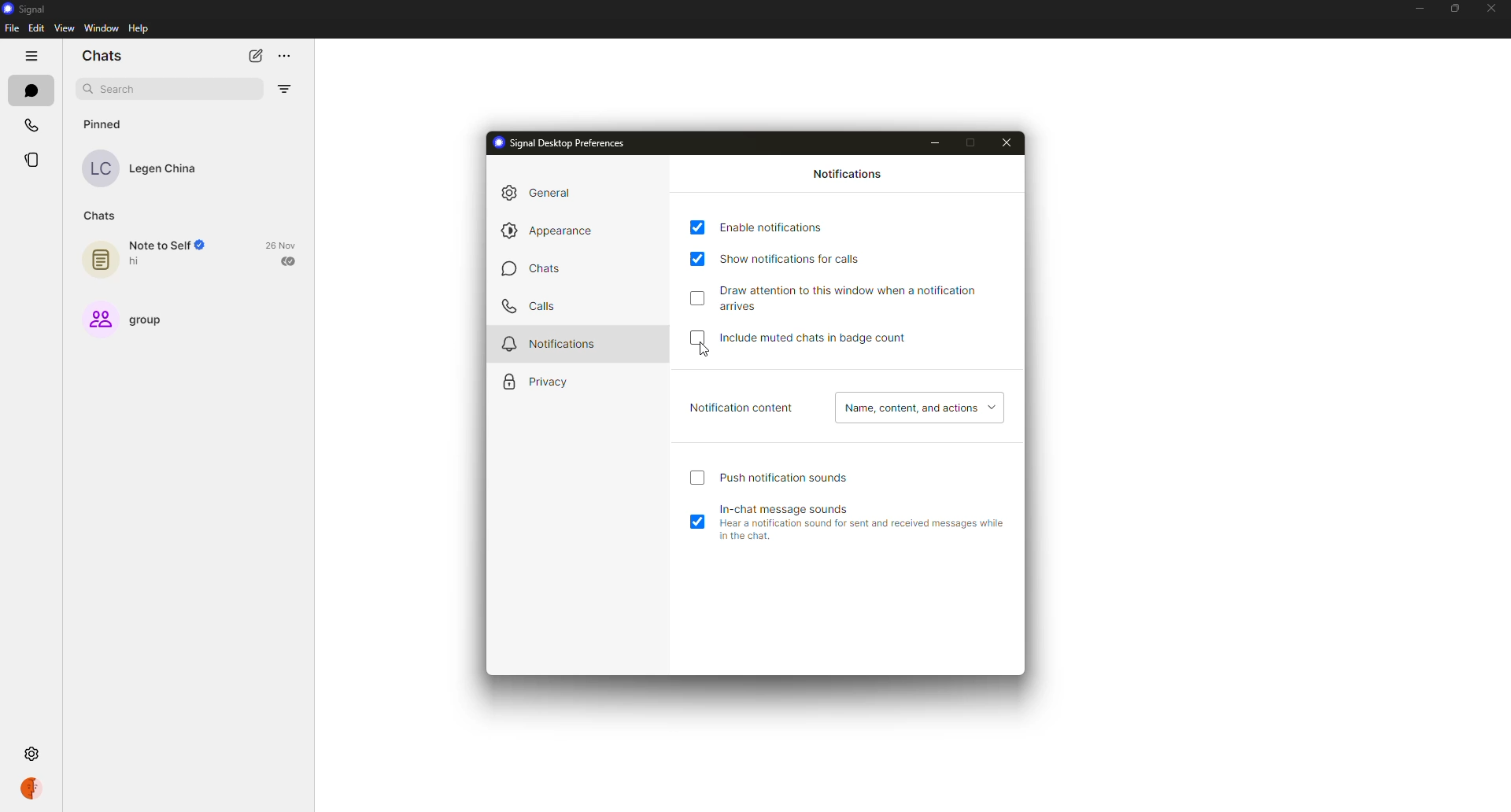 This screenshot has height=812, width=1511. What do you see at coordinates (530, 307) in the screenshot?
I see `calls` at bounding box center [530, 307].